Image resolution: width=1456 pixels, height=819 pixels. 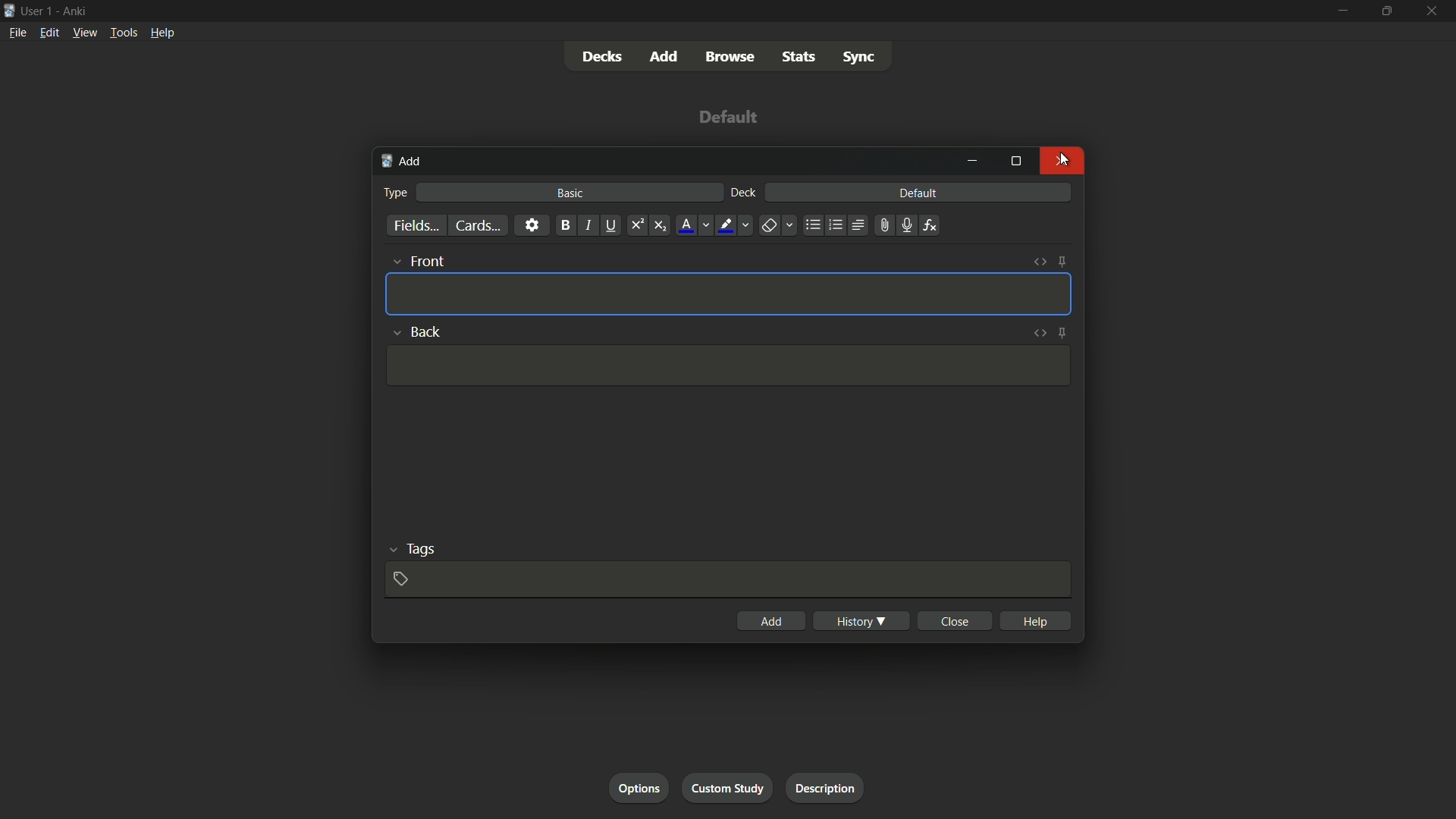 I want to click on deck, so click(x=744, y=193).